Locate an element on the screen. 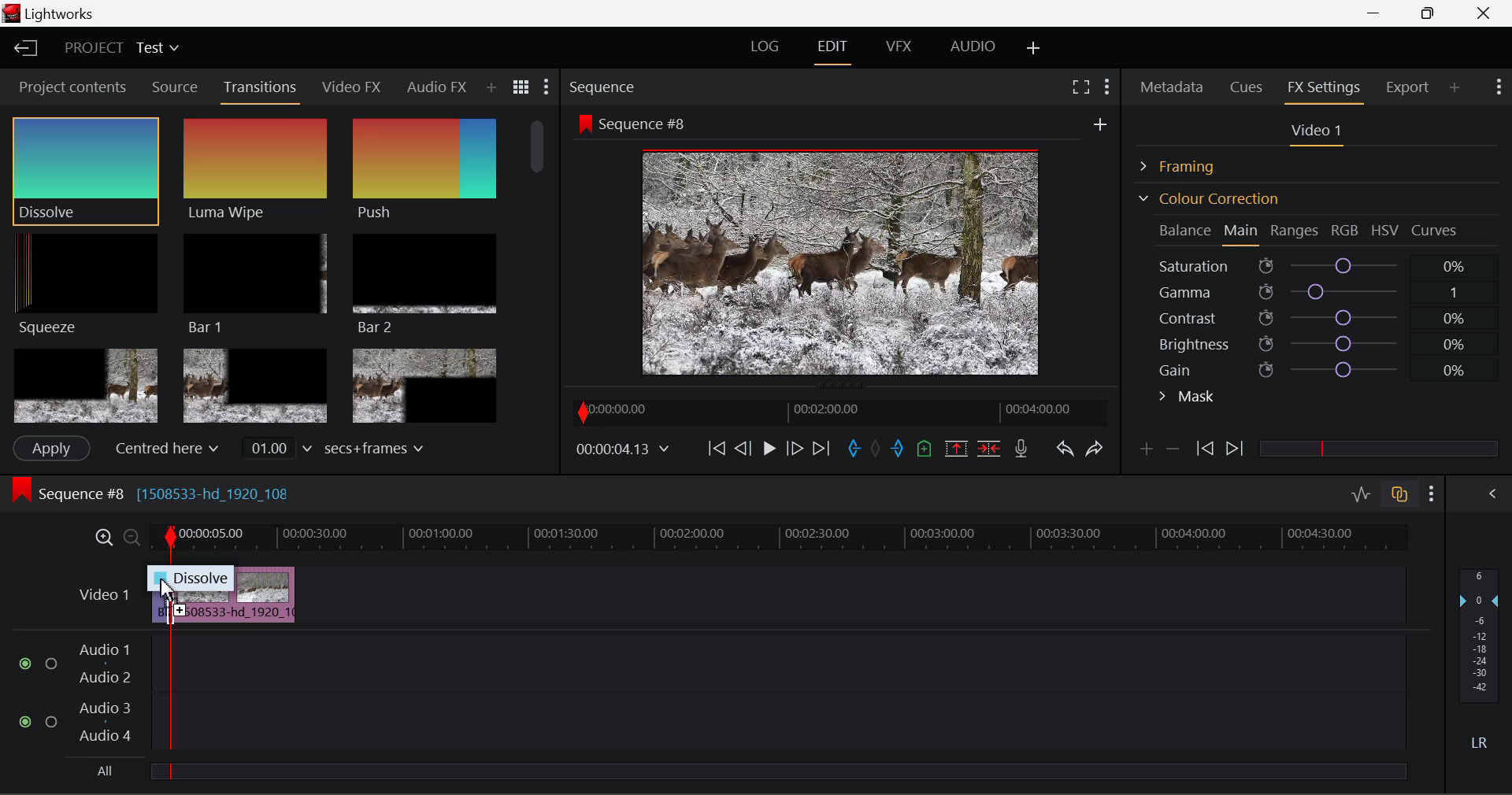  Redo is located at coordinates (1095, 448).